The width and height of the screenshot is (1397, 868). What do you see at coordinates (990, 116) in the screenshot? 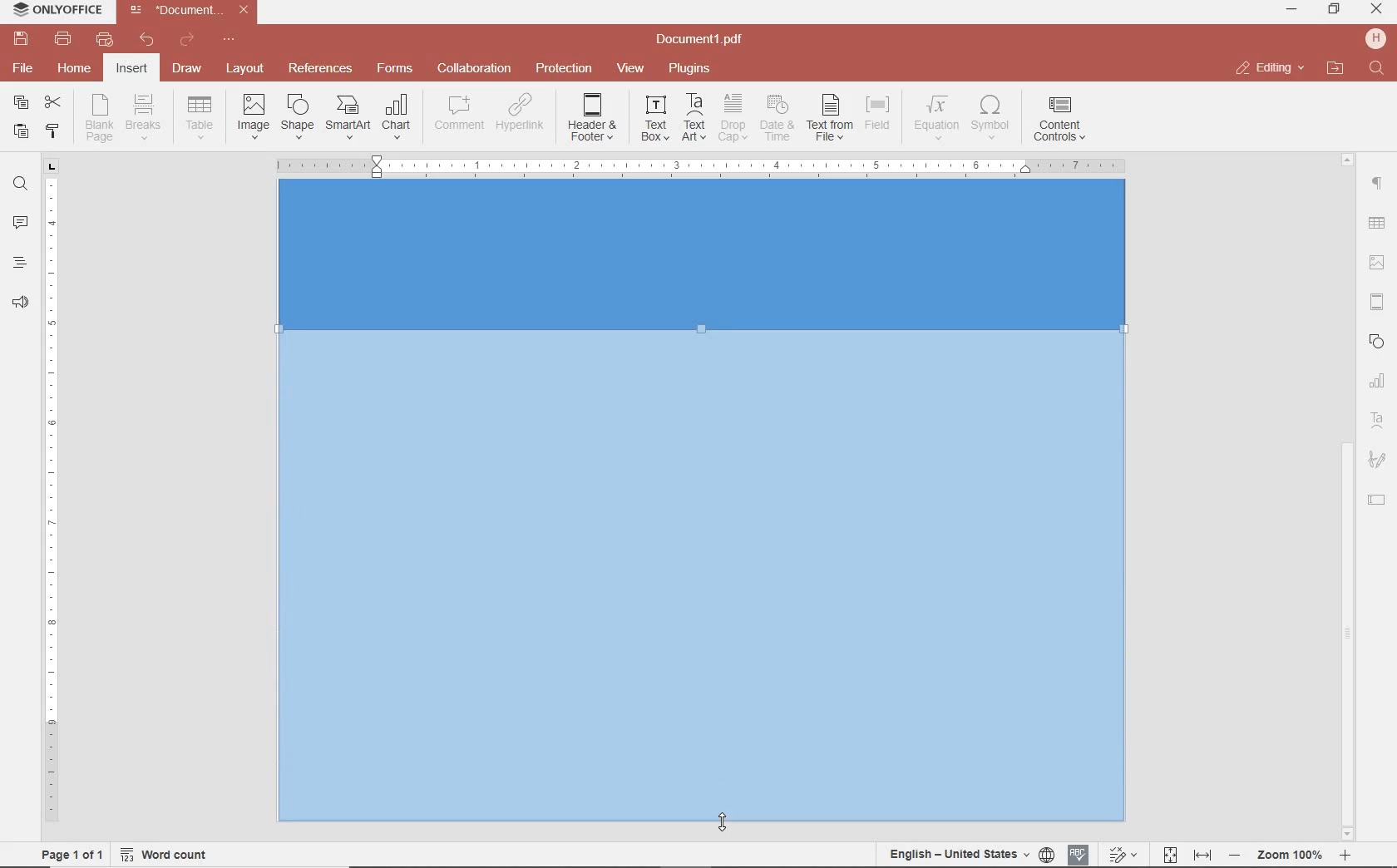
I see `INSERT SYMBOL` at bounding box center [990, 116].